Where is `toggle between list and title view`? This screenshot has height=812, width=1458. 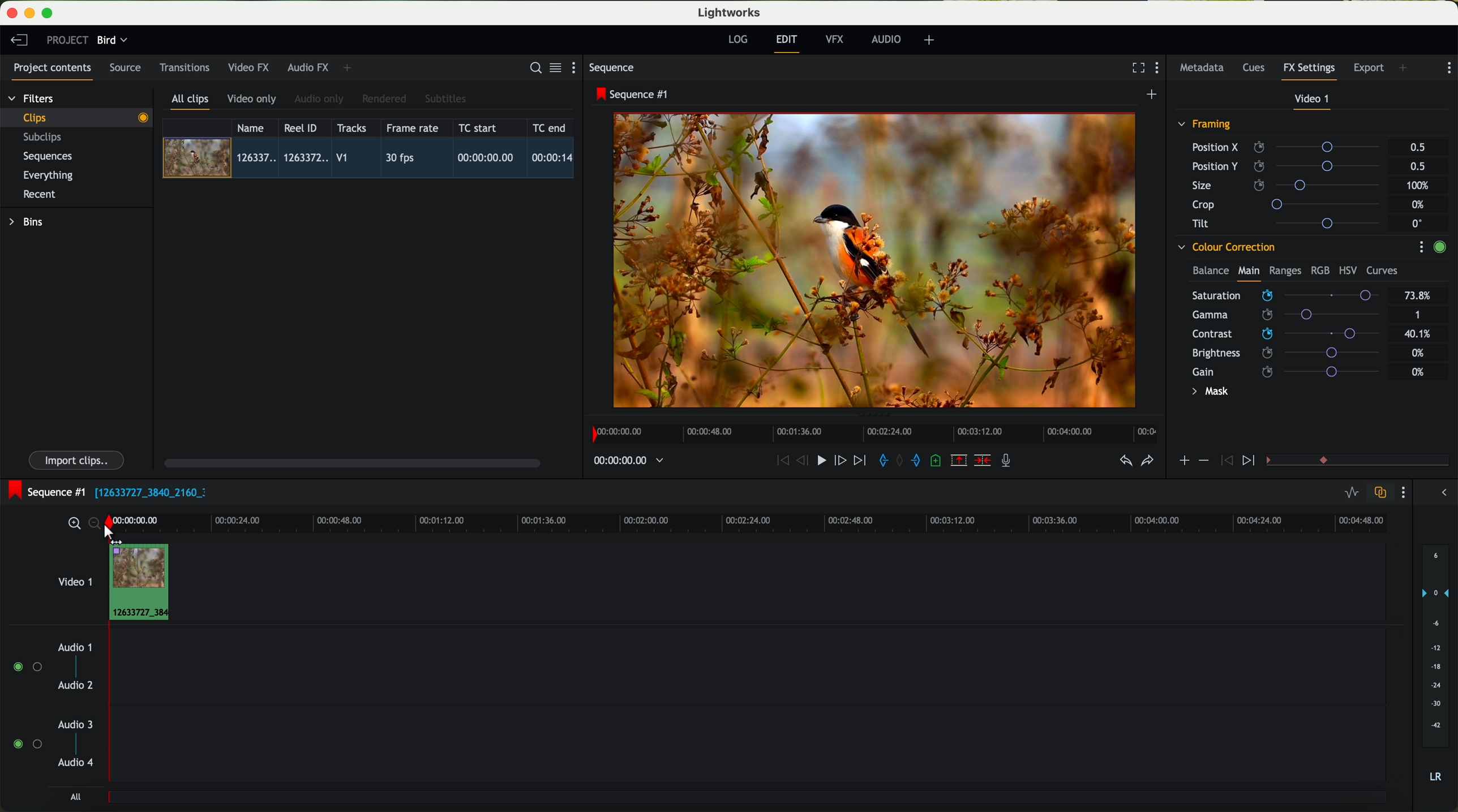 toggle between list and title view is located at coordinates (554, 67).